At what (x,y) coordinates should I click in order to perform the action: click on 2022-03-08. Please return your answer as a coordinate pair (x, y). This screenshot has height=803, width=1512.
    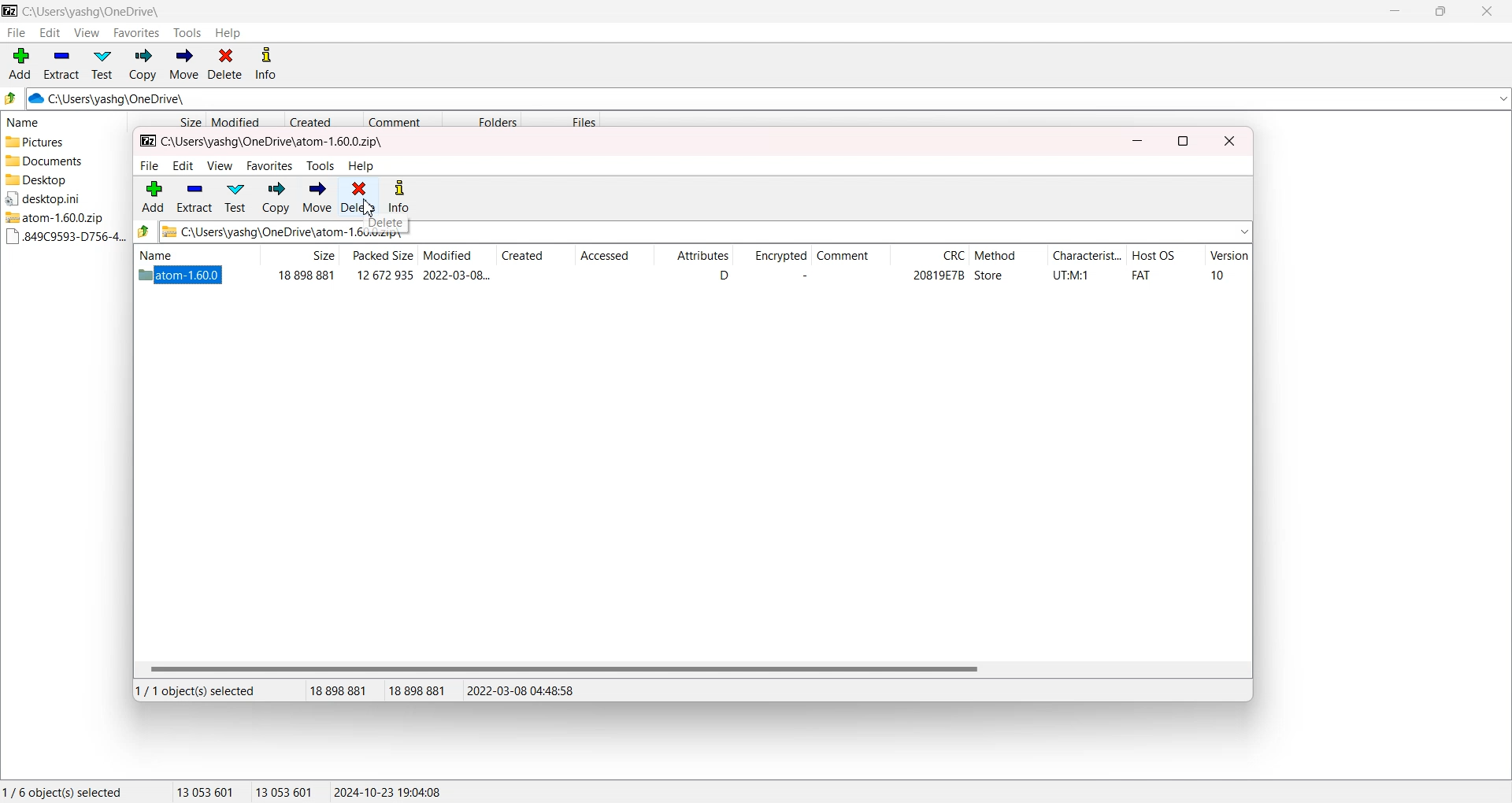
    Looking at the image, I should click on (457, 275).